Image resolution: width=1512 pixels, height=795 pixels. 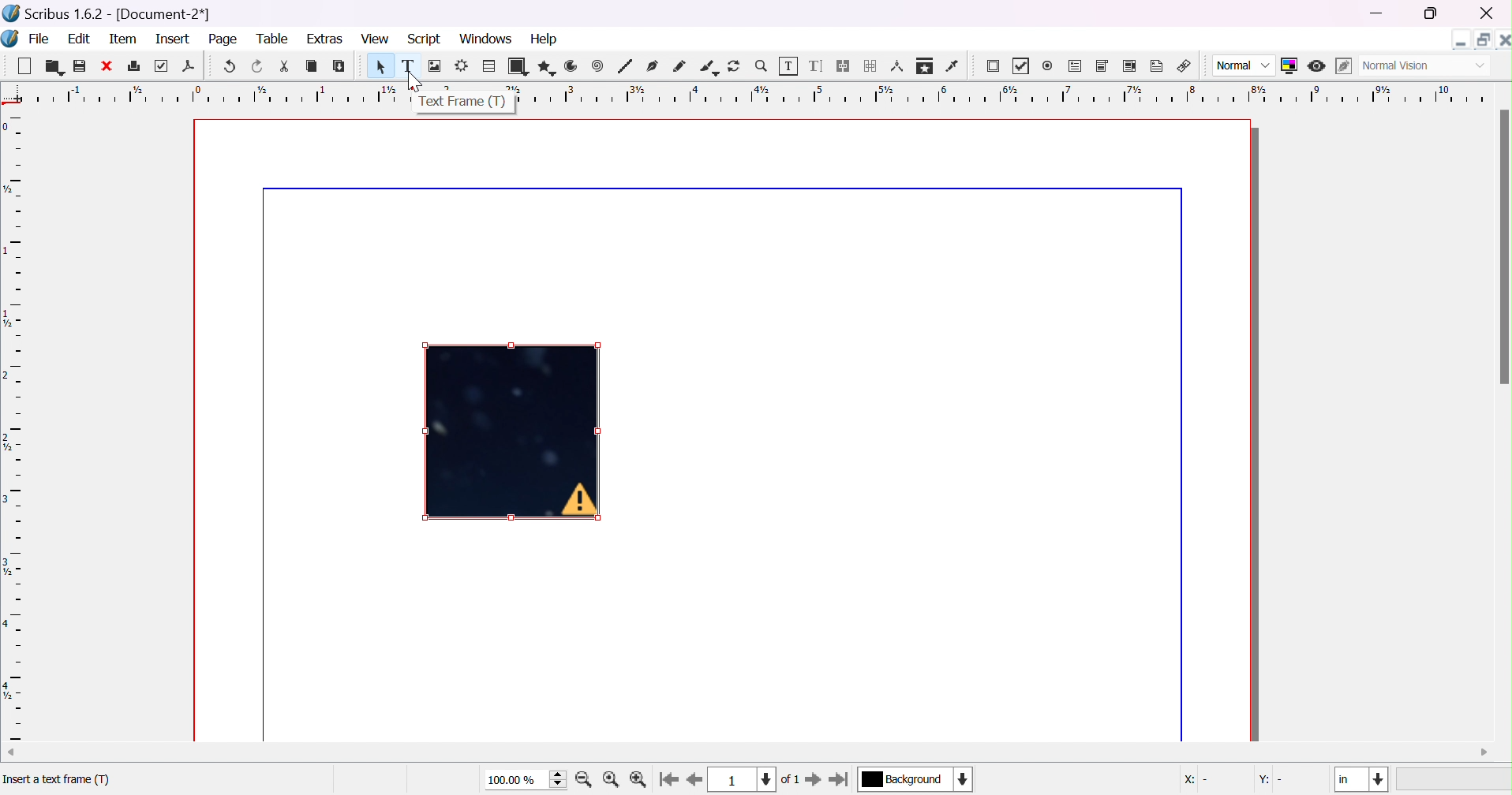 What do you see at coordinates (546, 38) in the screenshot?
I see `help` at bounding box center [546, 38].